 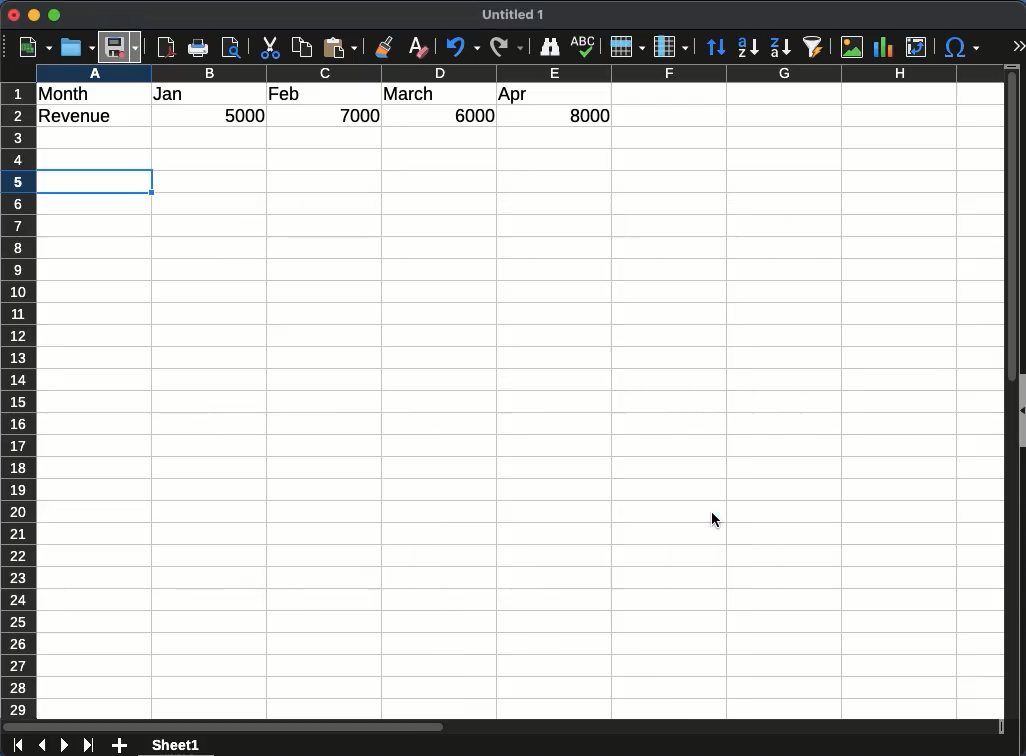 I want to click on collapse, so click(x=1020, y=408).